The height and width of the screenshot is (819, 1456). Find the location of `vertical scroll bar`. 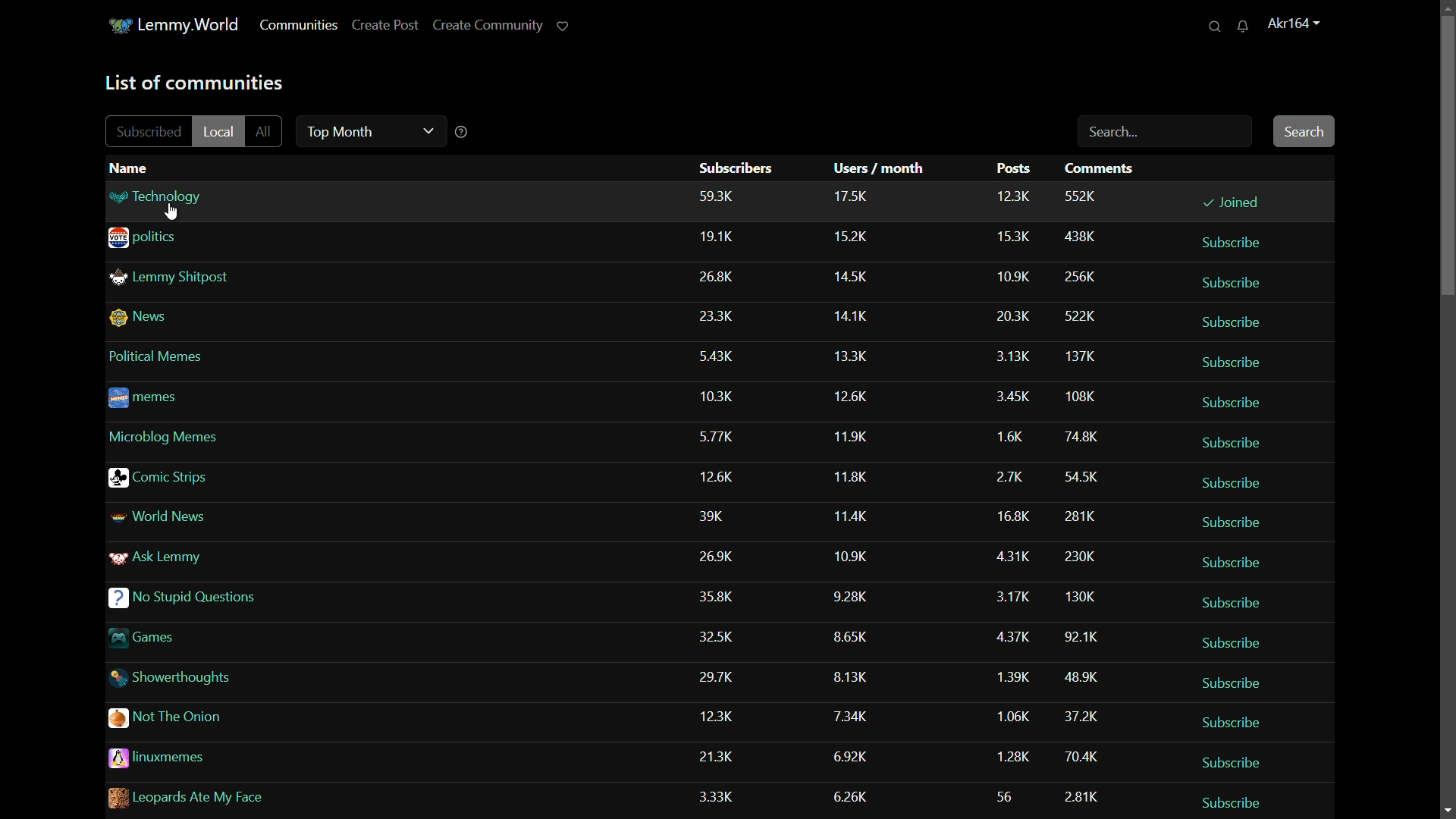

vertical scroll bar is located at coordinates (1445, 155).